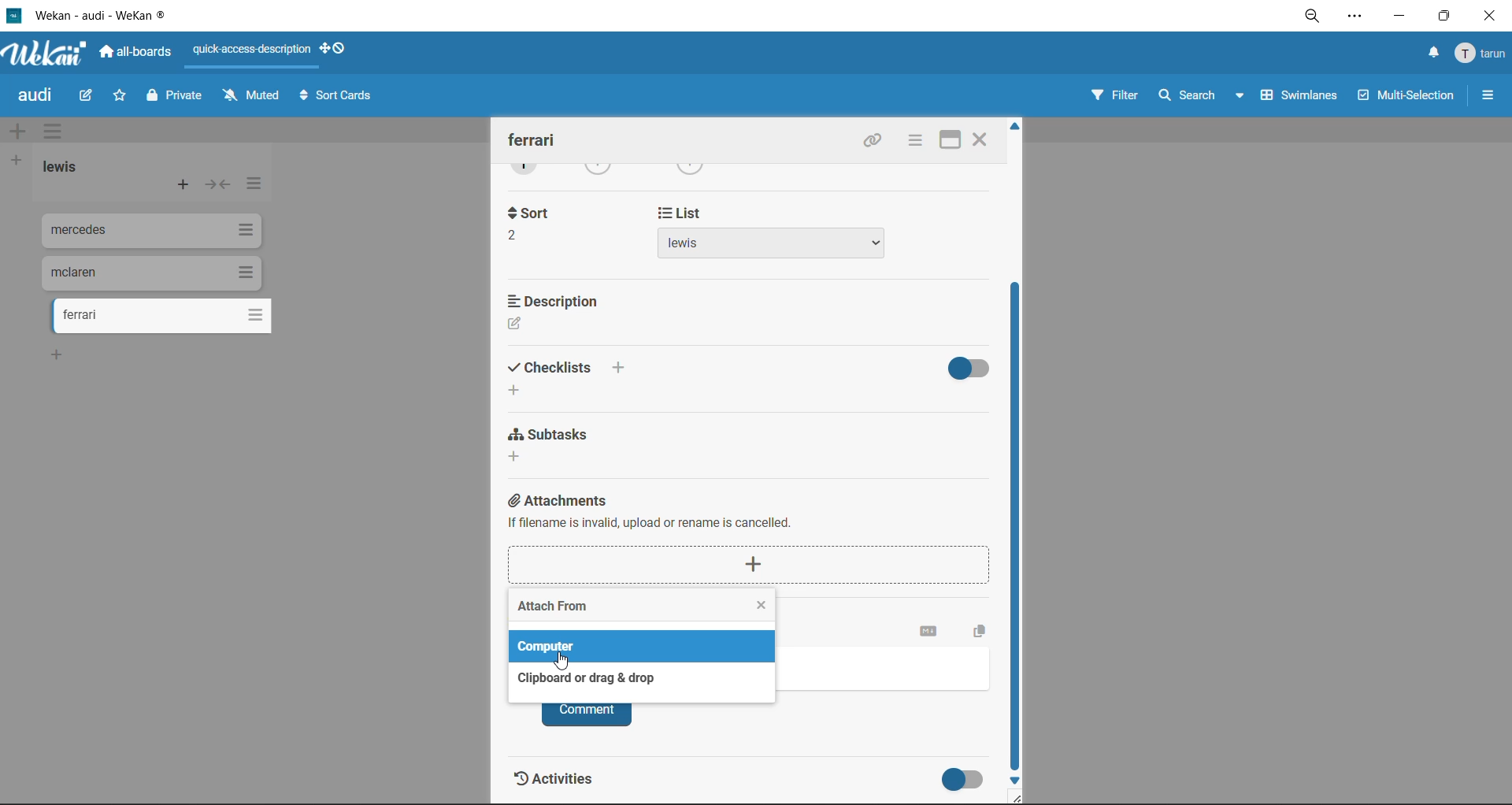 Image resolution: width=1512 pixels, height=805 pixels. What do you see at coordinates (536, 140) in the screenshot?
I see `card title` at bounding box center [536, 140].